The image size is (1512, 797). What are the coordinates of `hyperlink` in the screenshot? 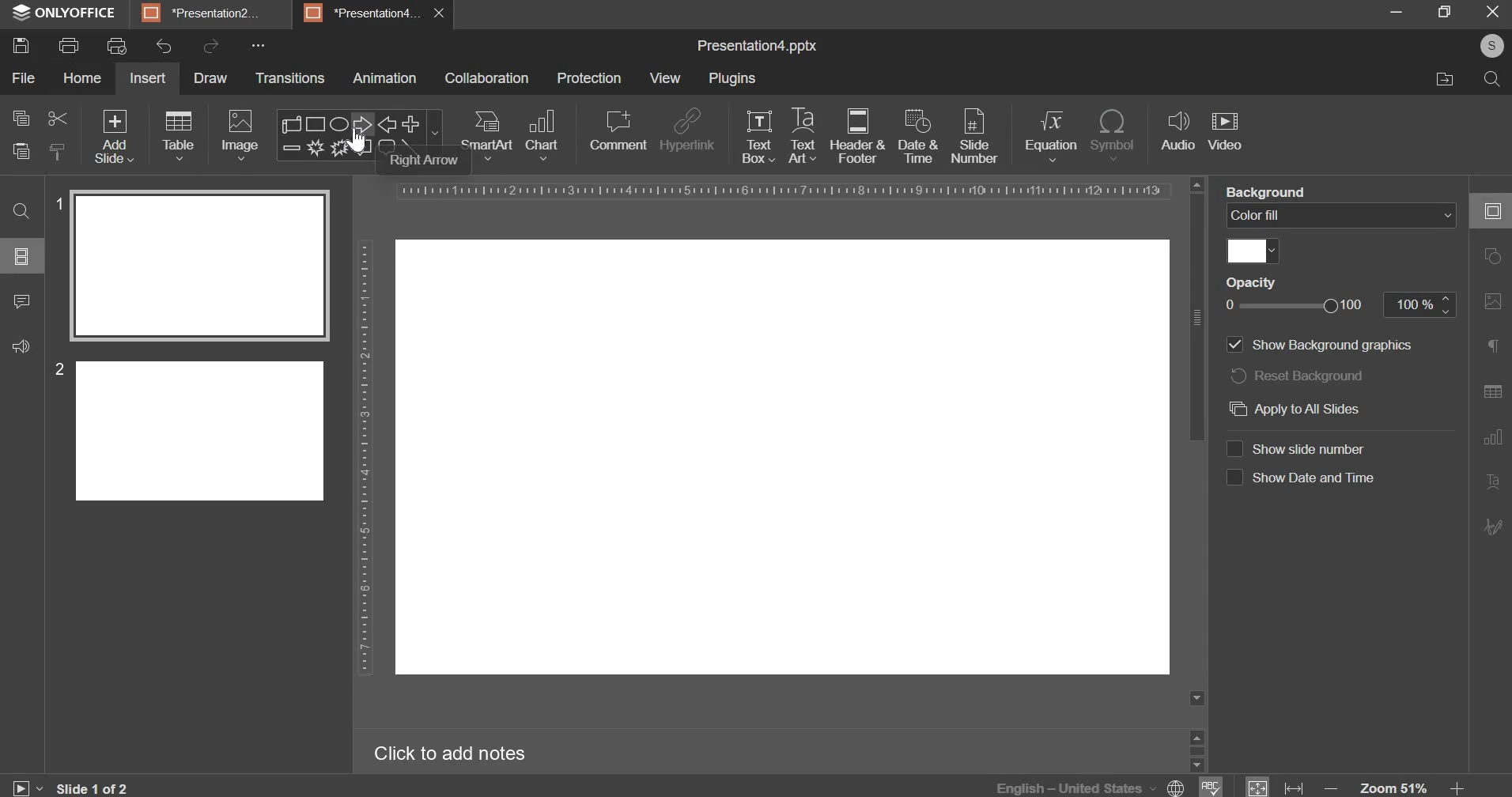 It's located at (687, 132).